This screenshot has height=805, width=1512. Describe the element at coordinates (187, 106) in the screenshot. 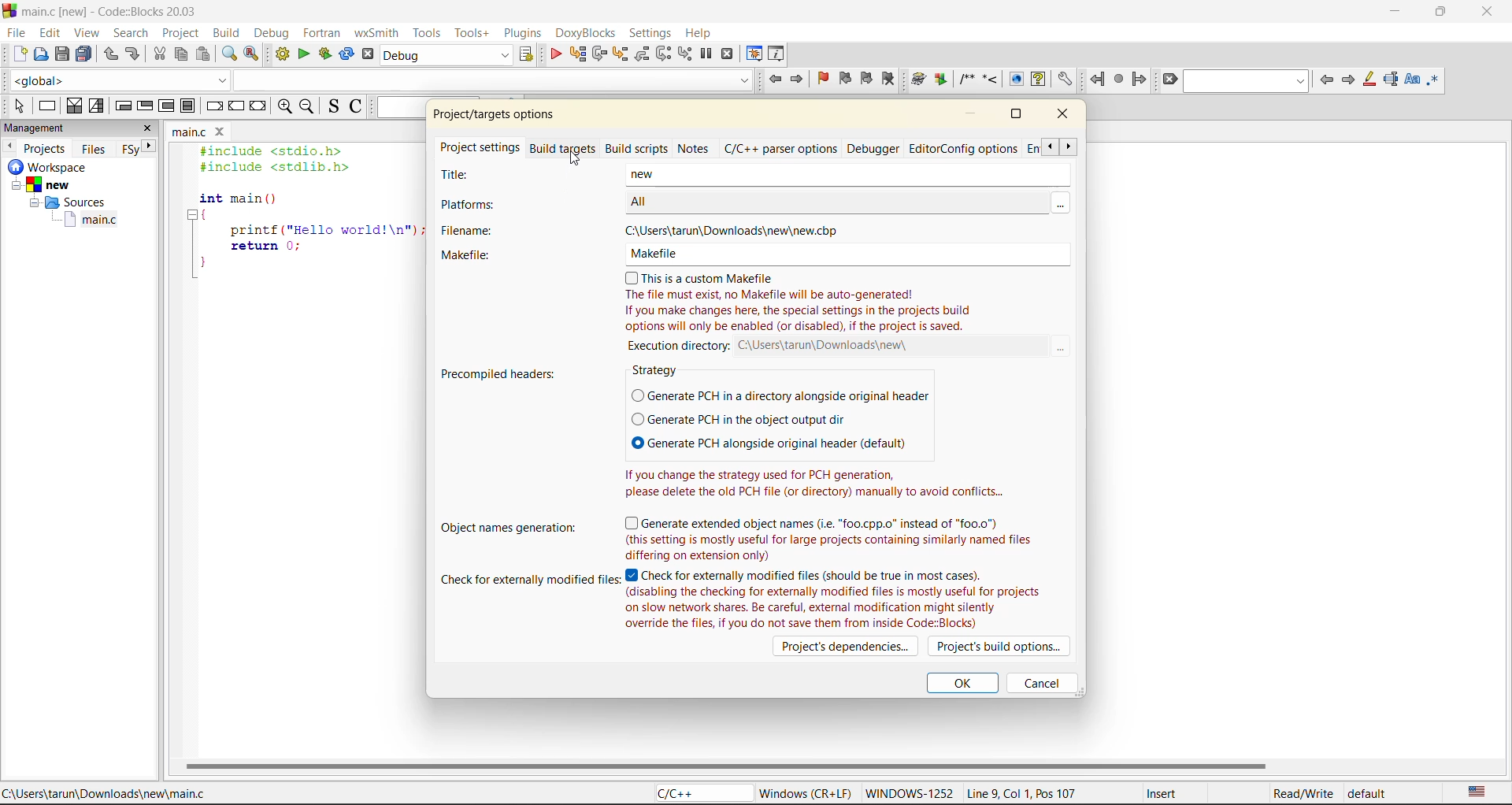

I see `break instruction` at that location.